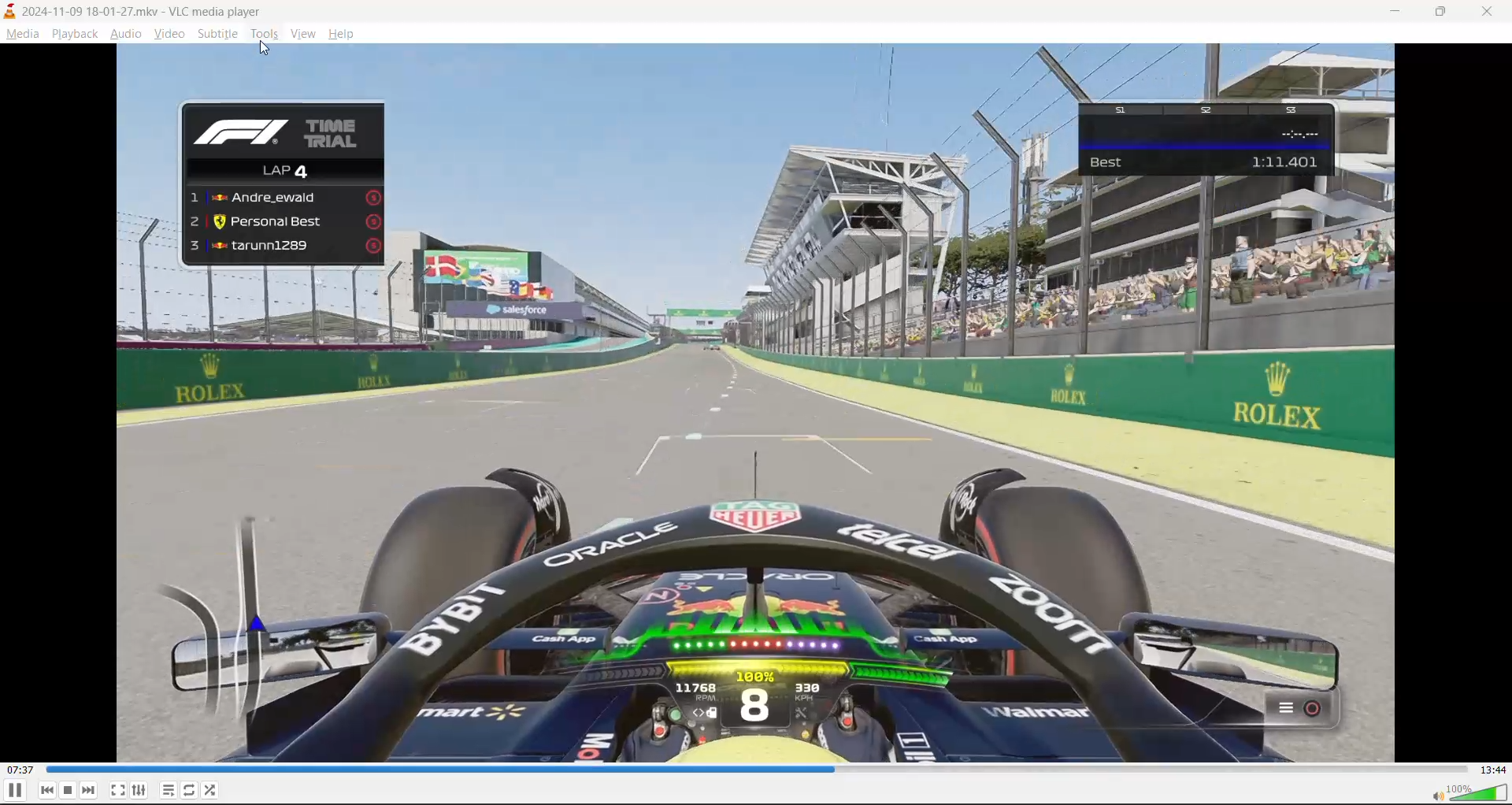 Image resolution: width=1512 pixels, height=805 pixels. Describe the element at coordinates (23, 34) in the screenshot. I see `media` at that location.